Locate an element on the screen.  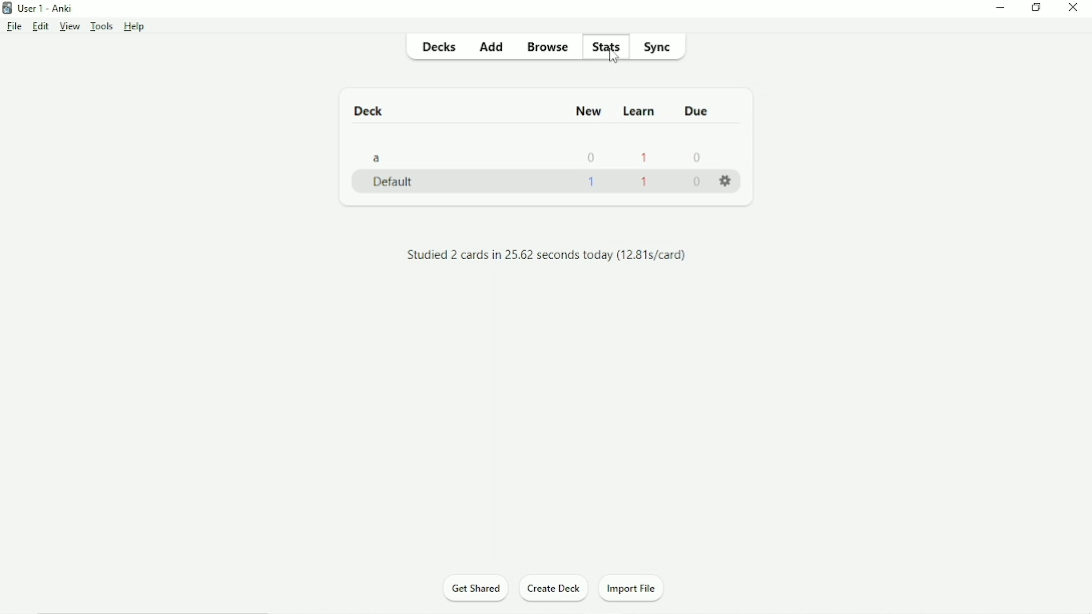
0 is located at coordinates (587, 157).